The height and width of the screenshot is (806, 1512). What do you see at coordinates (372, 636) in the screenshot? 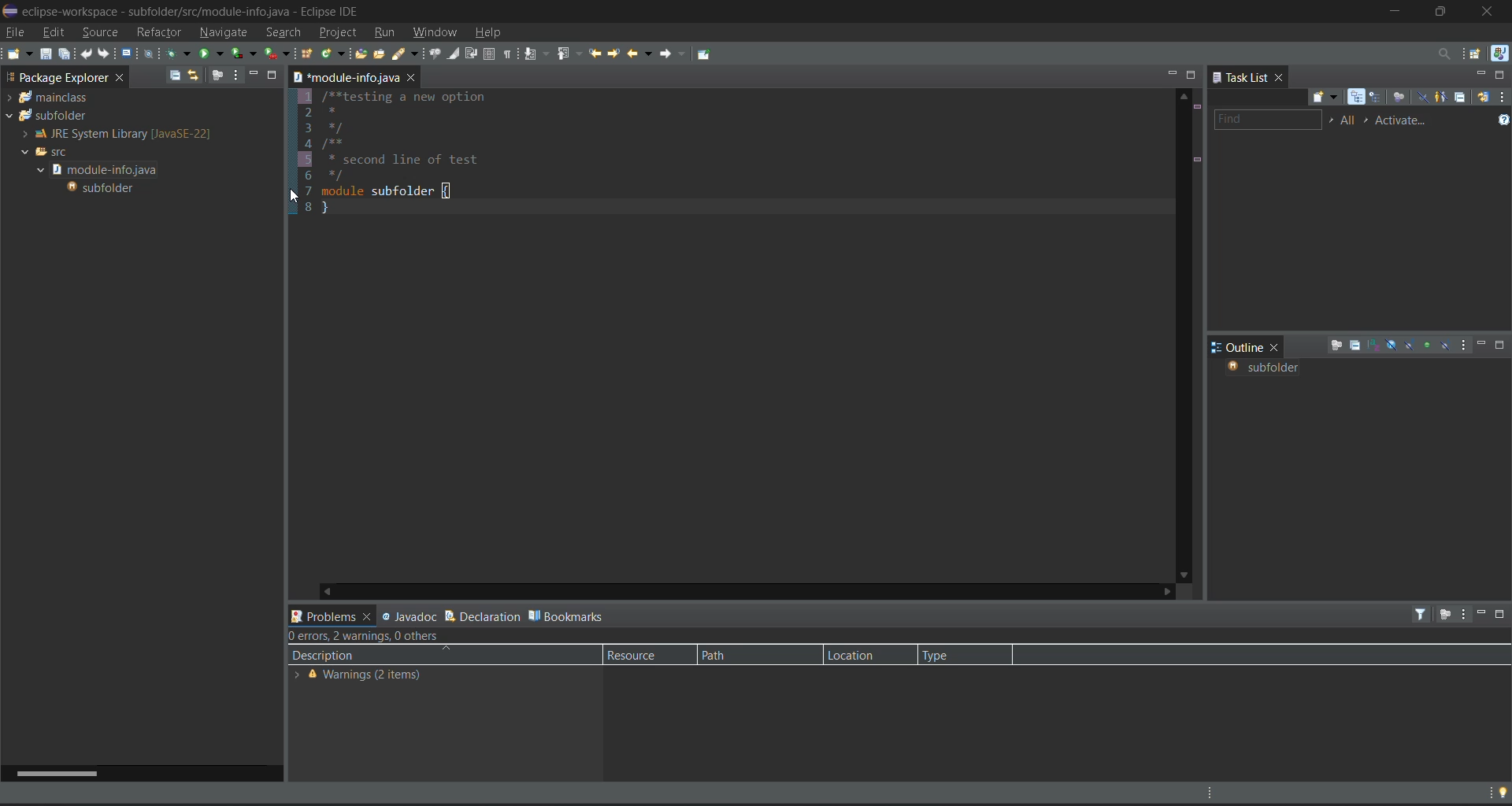
I see `0 errors, 2 warnings, 0 others` at bounding box center [372, 636].